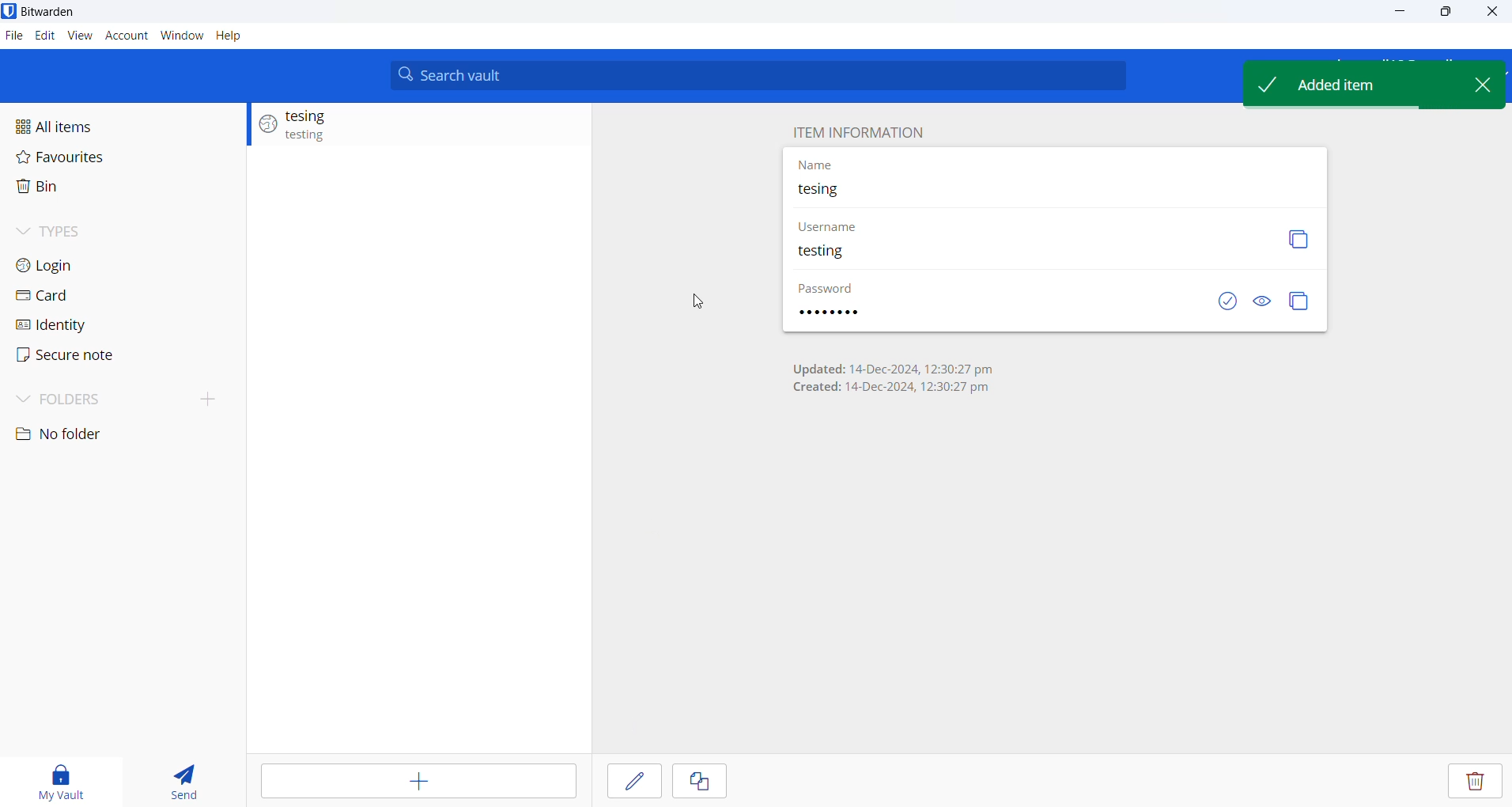 The height and width of the screenshot is (807, 1512). Describe the element at coordinates (699, 780) in the screenshot. I see `copy` at that location.